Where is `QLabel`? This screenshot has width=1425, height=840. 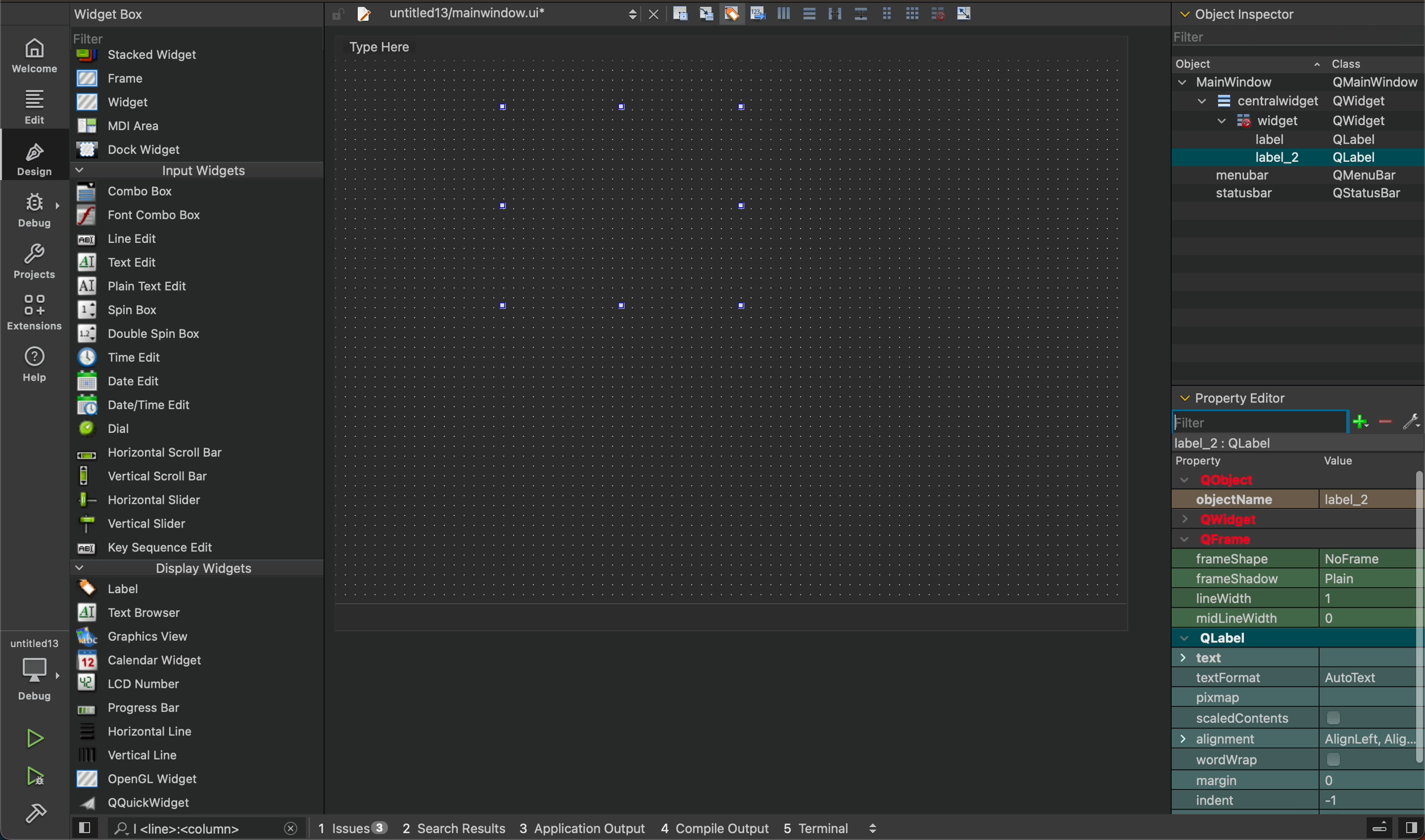
QLabel is located at coordinates (1289, 637).